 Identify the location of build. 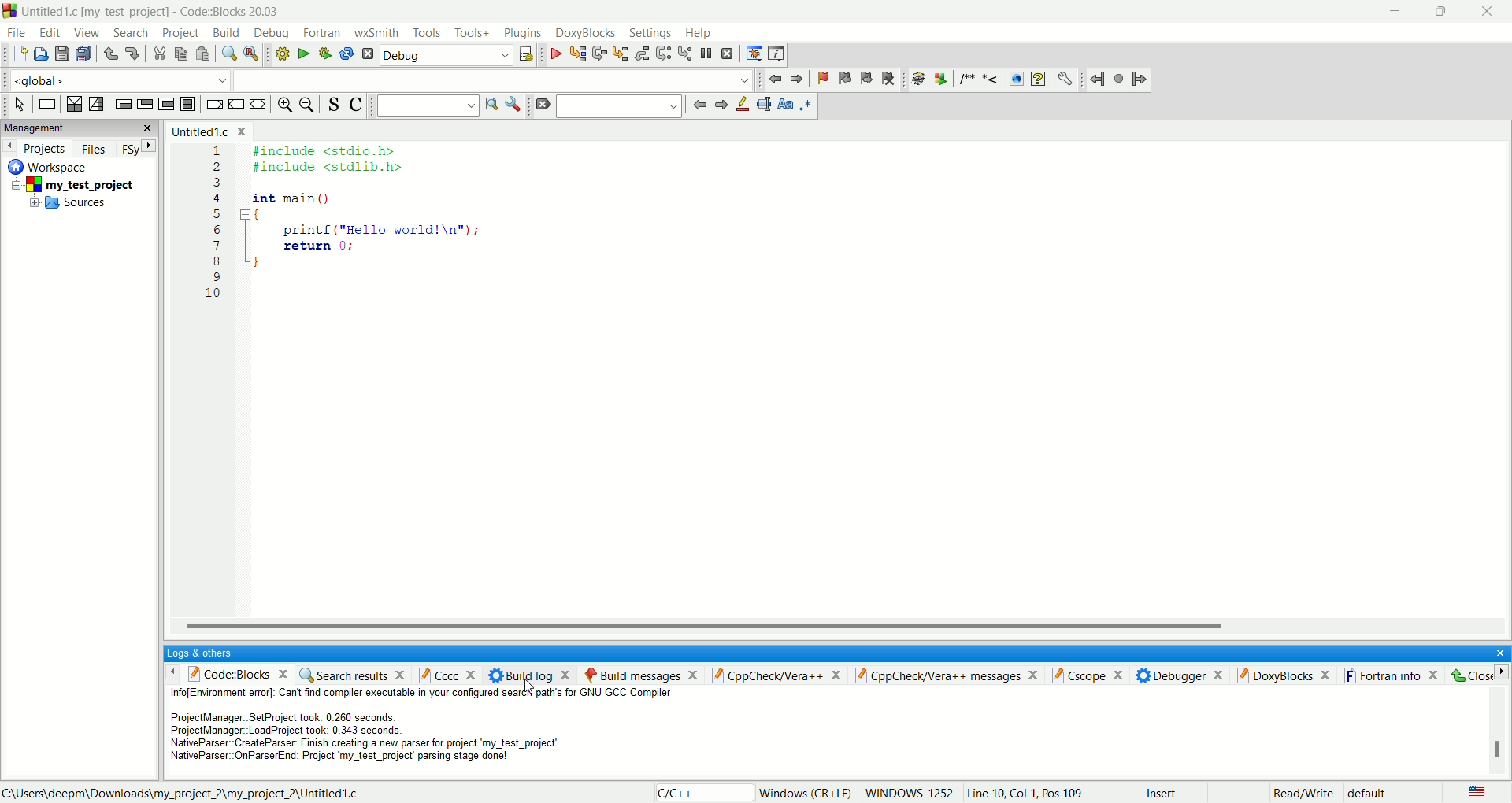
(280, 54).